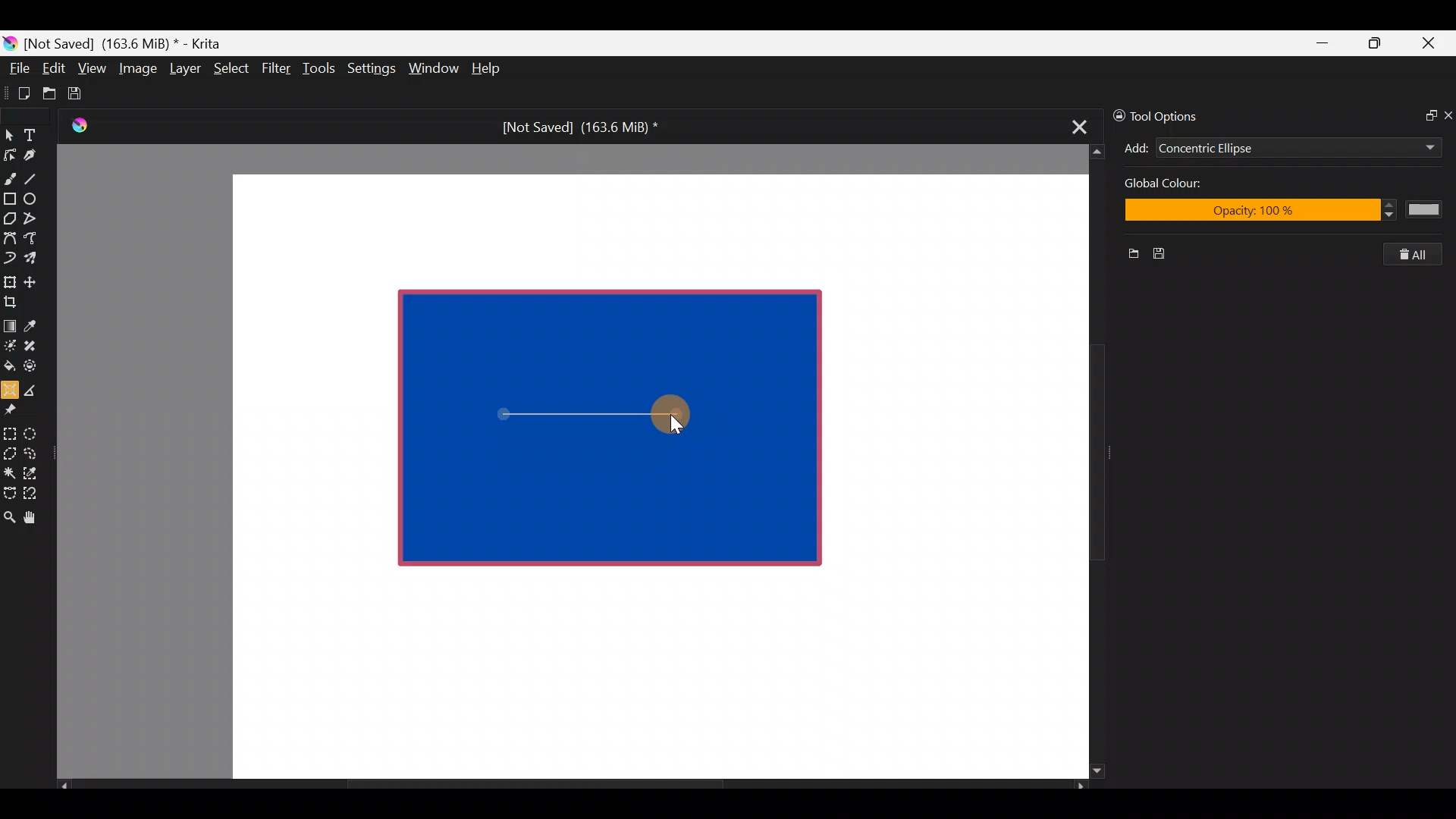 The image size is (1456, 819). What do you see at coordinates (40, 177) in the screenshot?
I see `Line tool` at bounding box center [40, 177].